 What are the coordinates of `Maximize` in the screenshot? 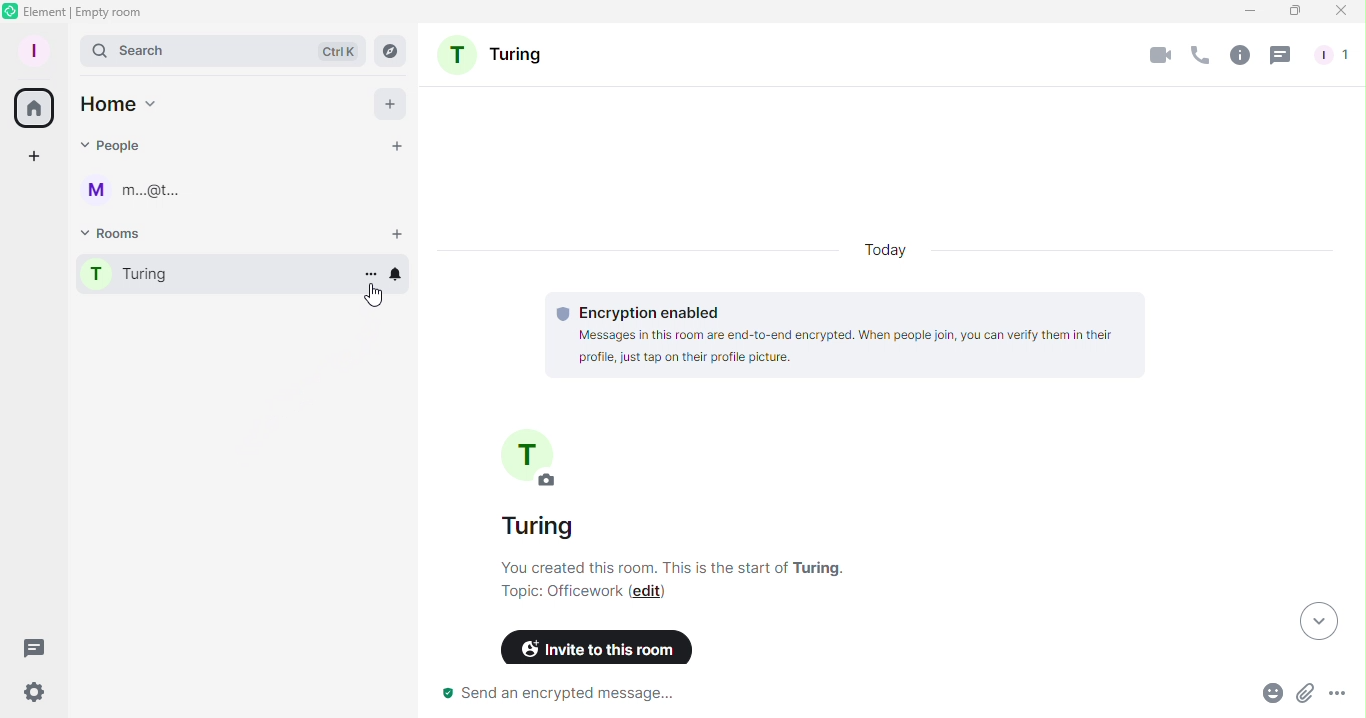 It's located at (1288, 12).